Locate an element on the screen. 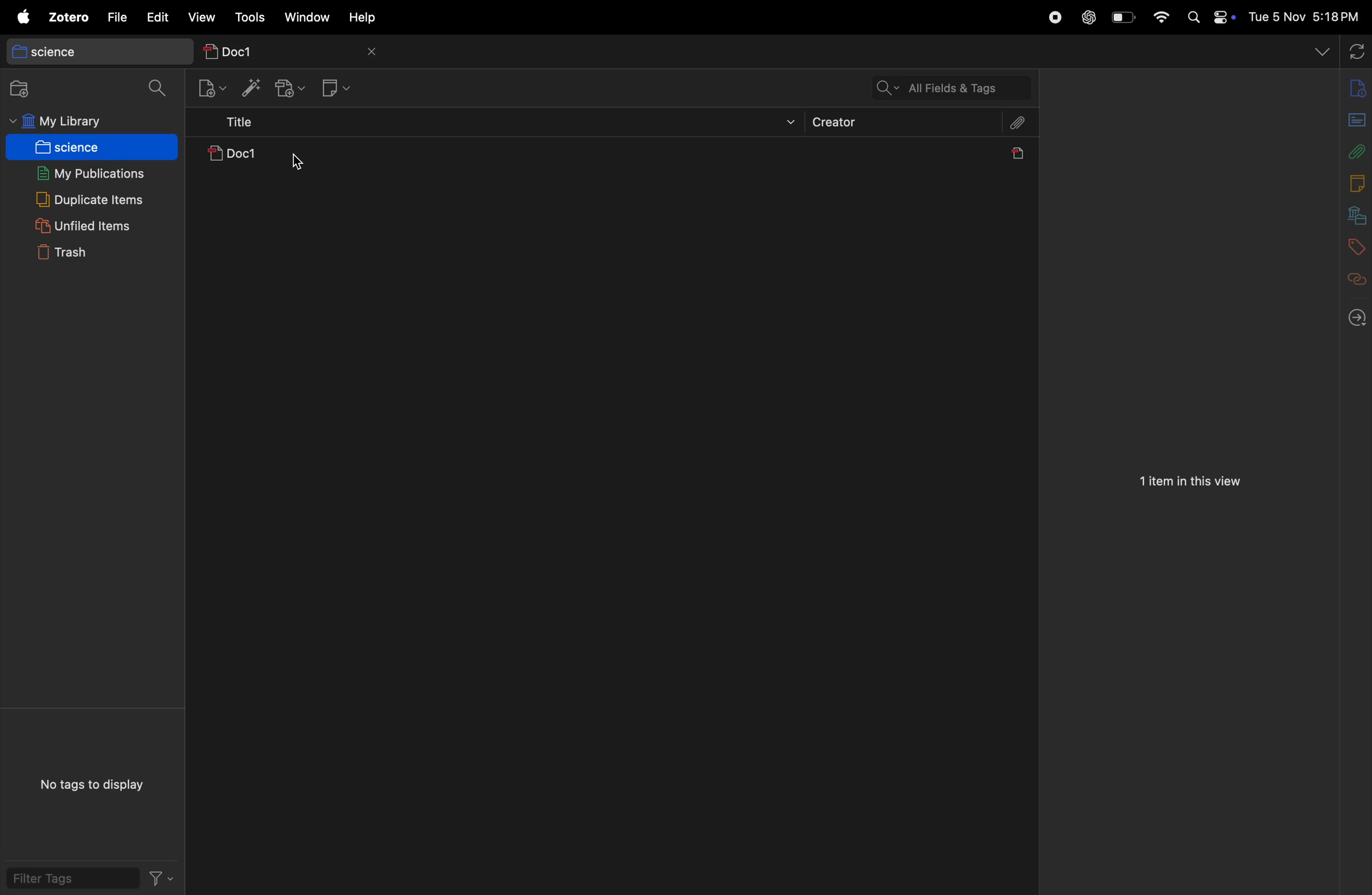 The height and width of the screenshot is (895, 1372). clip file is located at coordinates (1354, 152).